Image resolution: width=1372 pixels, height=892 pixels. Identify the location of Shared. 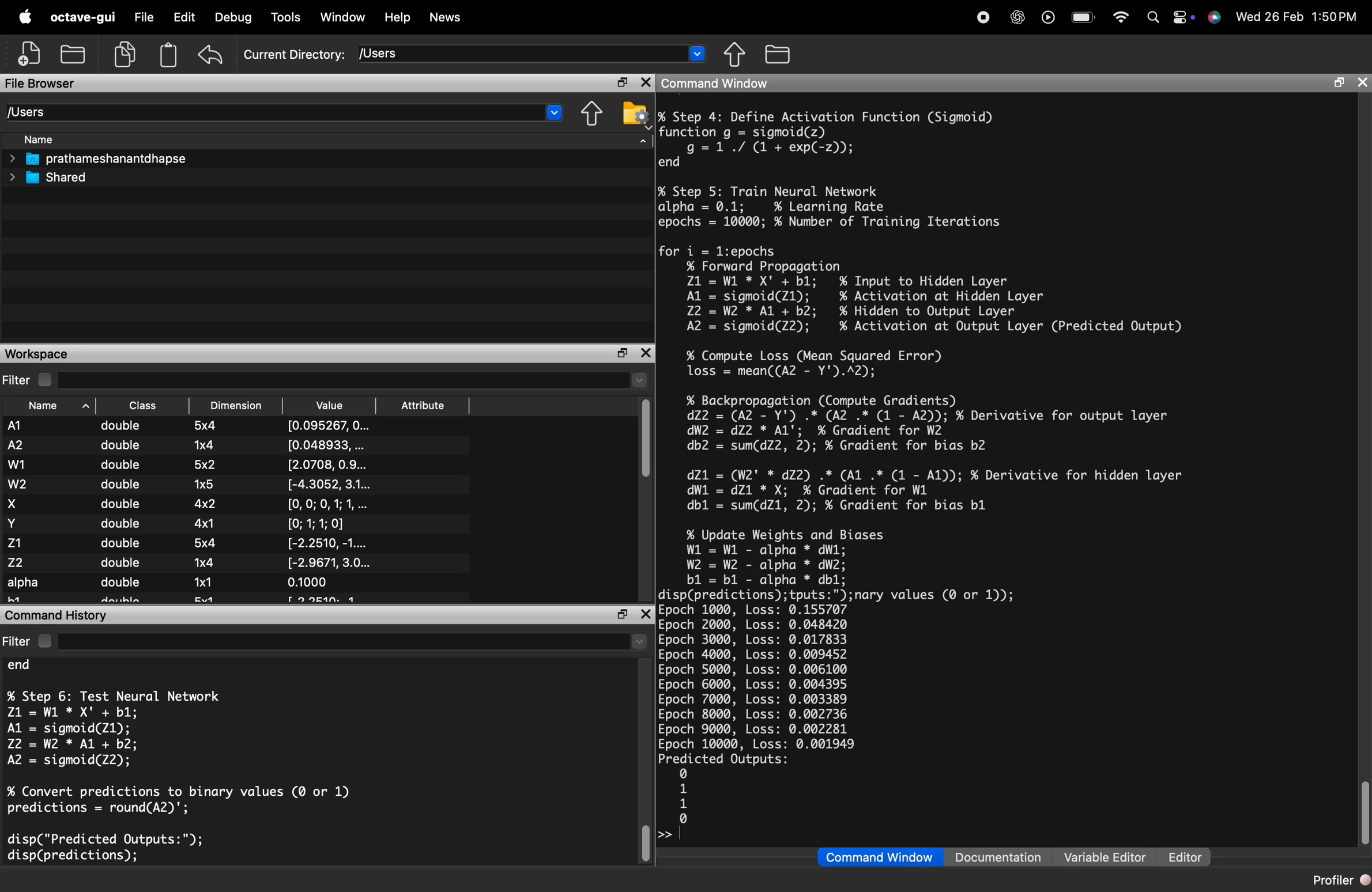
(51, 177).